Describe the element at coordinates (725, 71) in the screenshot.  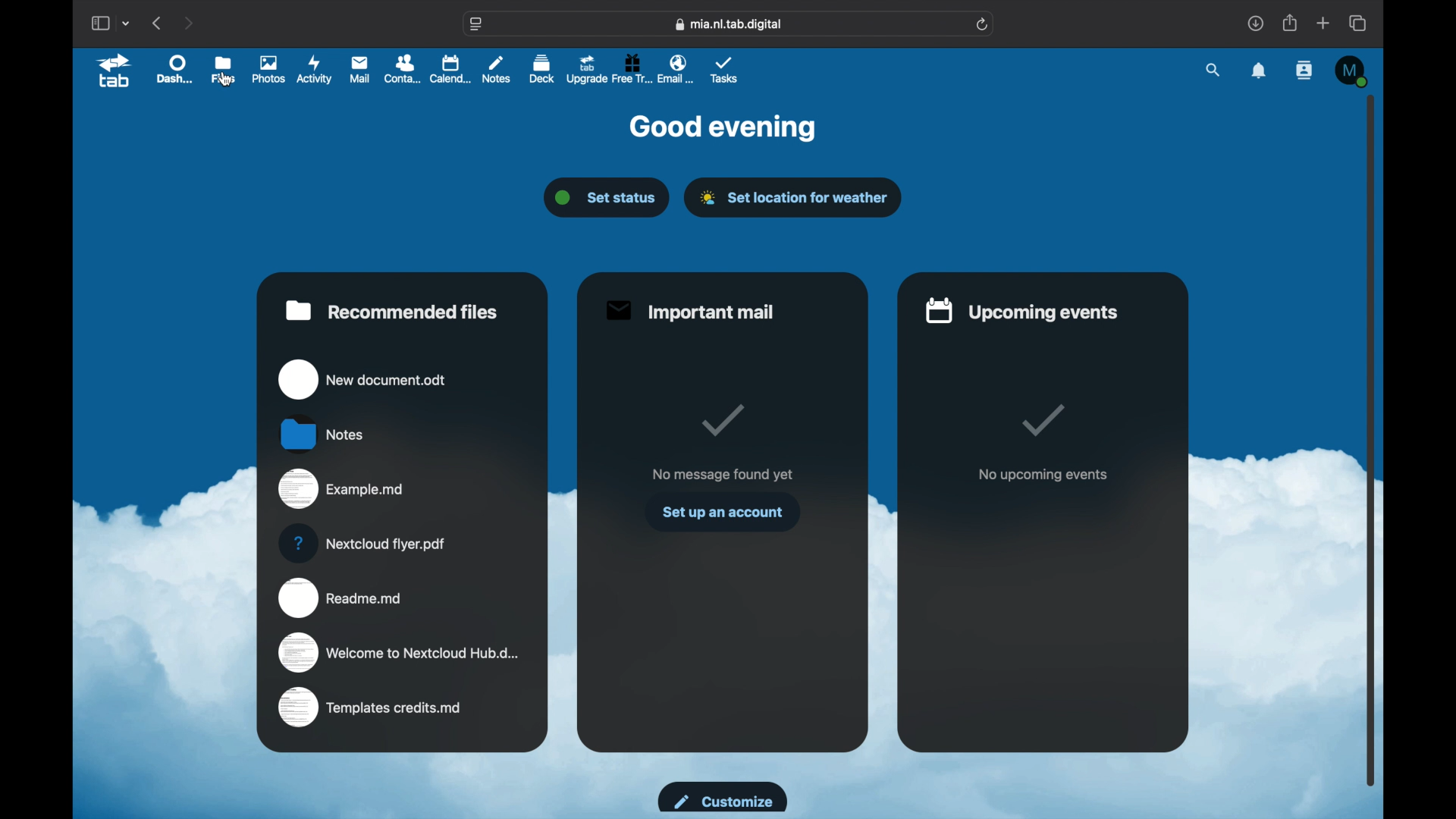
I see `tasks` at that location.